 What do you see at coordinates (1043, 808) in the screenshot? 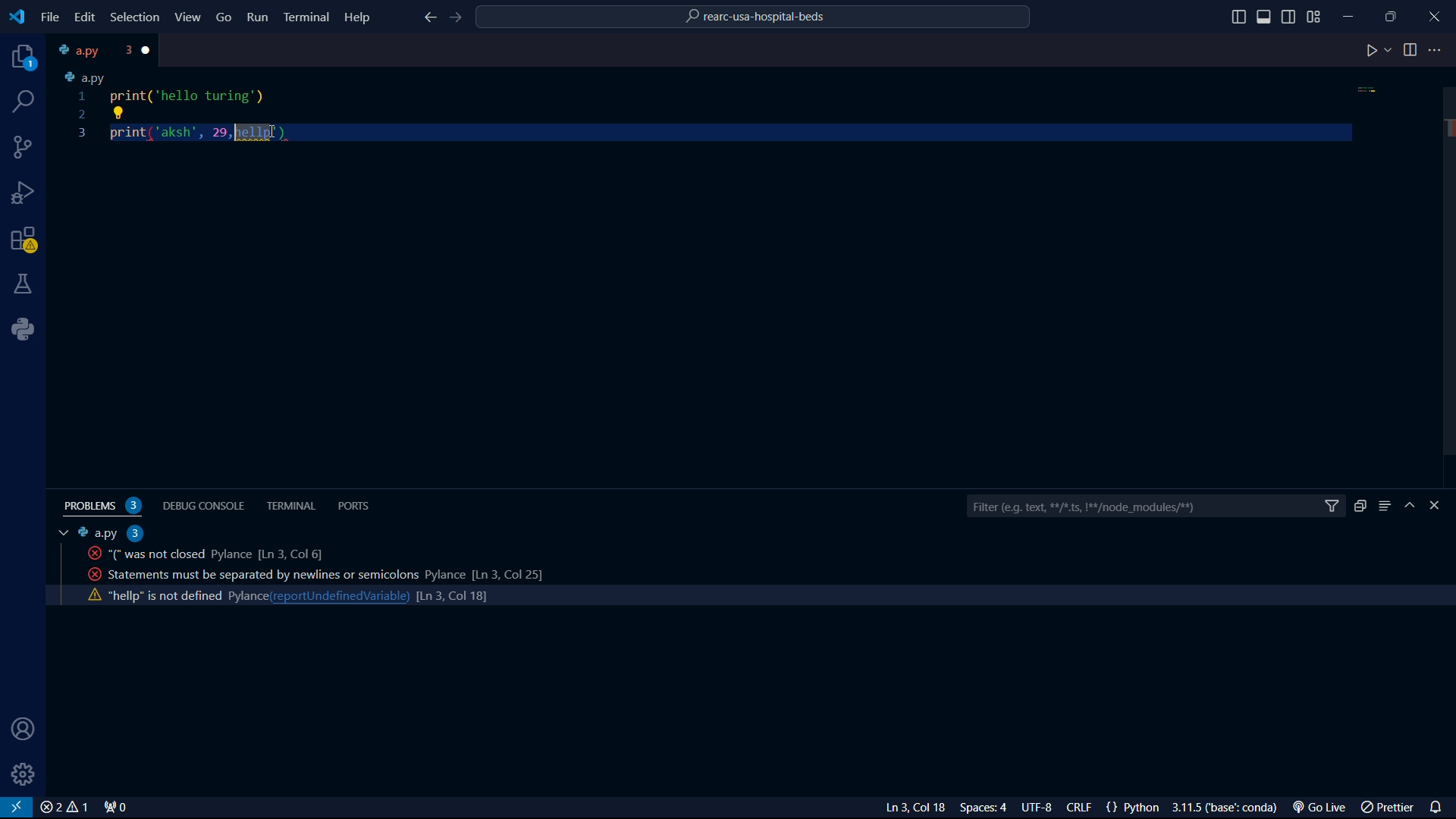
I see `UTF-8` at bounding box center [1043, 808].